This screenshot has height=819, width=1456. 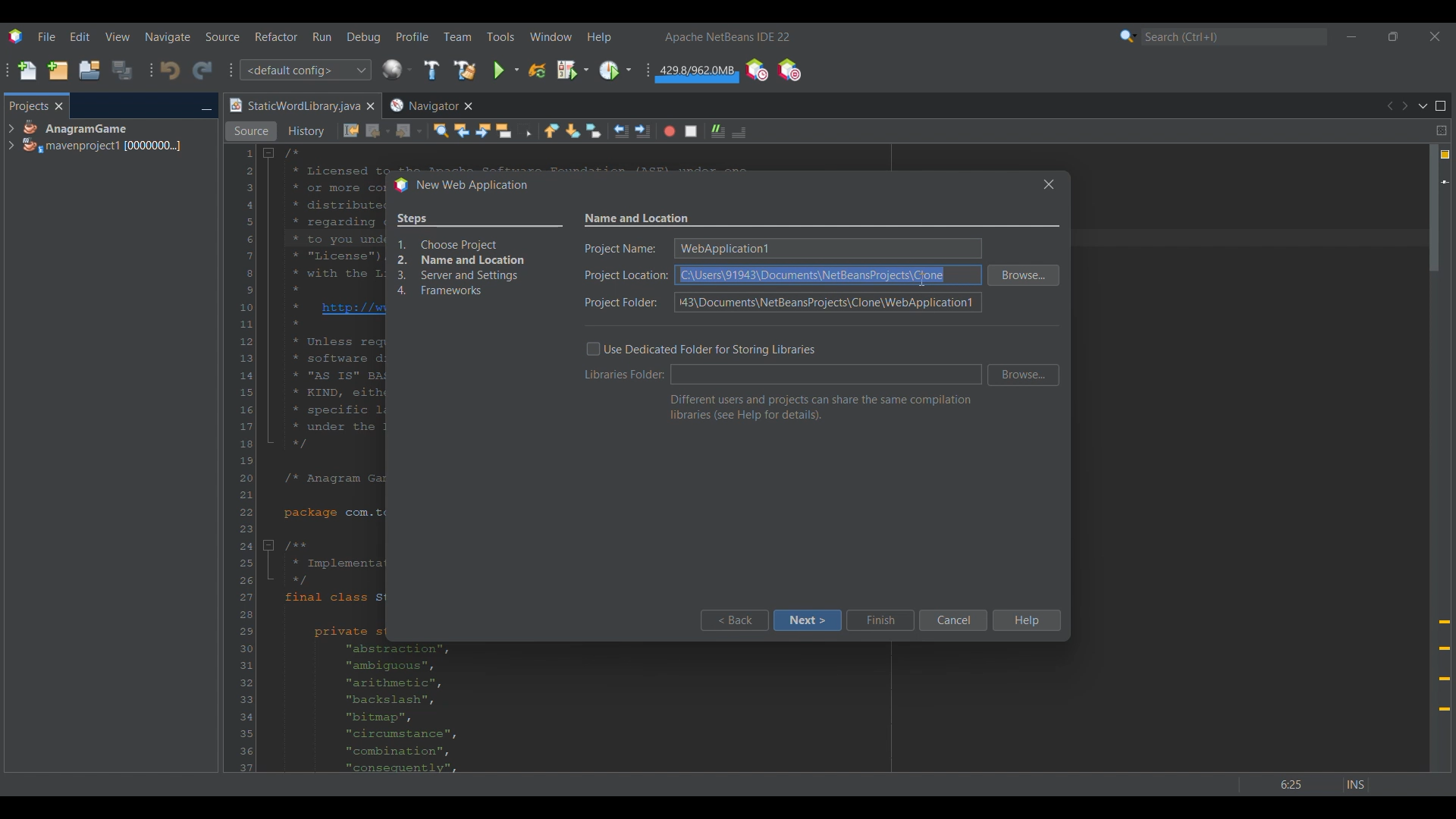 I want to click on Close interface, so click(x=1435, y=36).